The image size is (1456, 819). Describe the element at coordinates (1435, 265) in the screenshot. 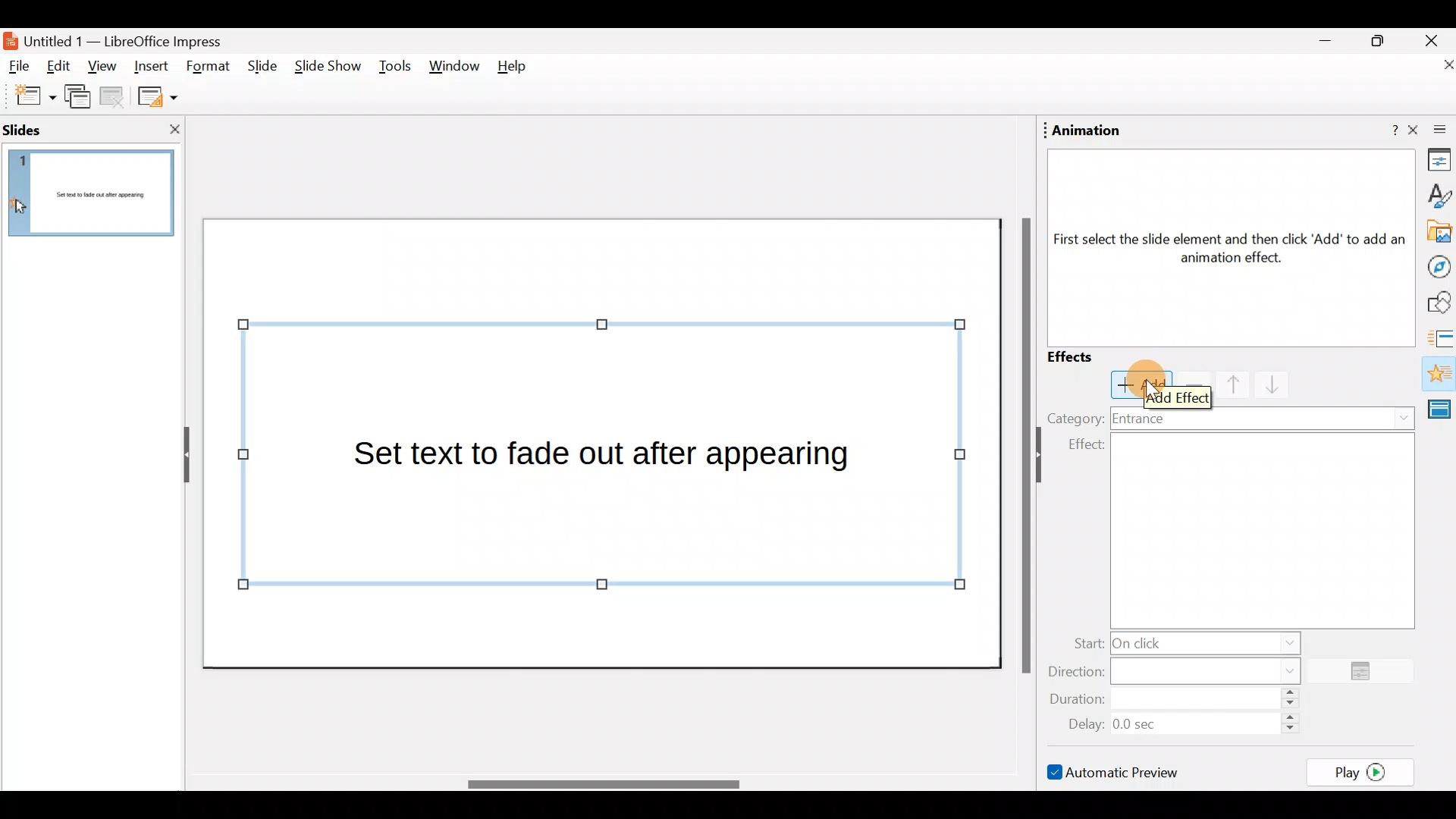

I see `Navigator` at that location.